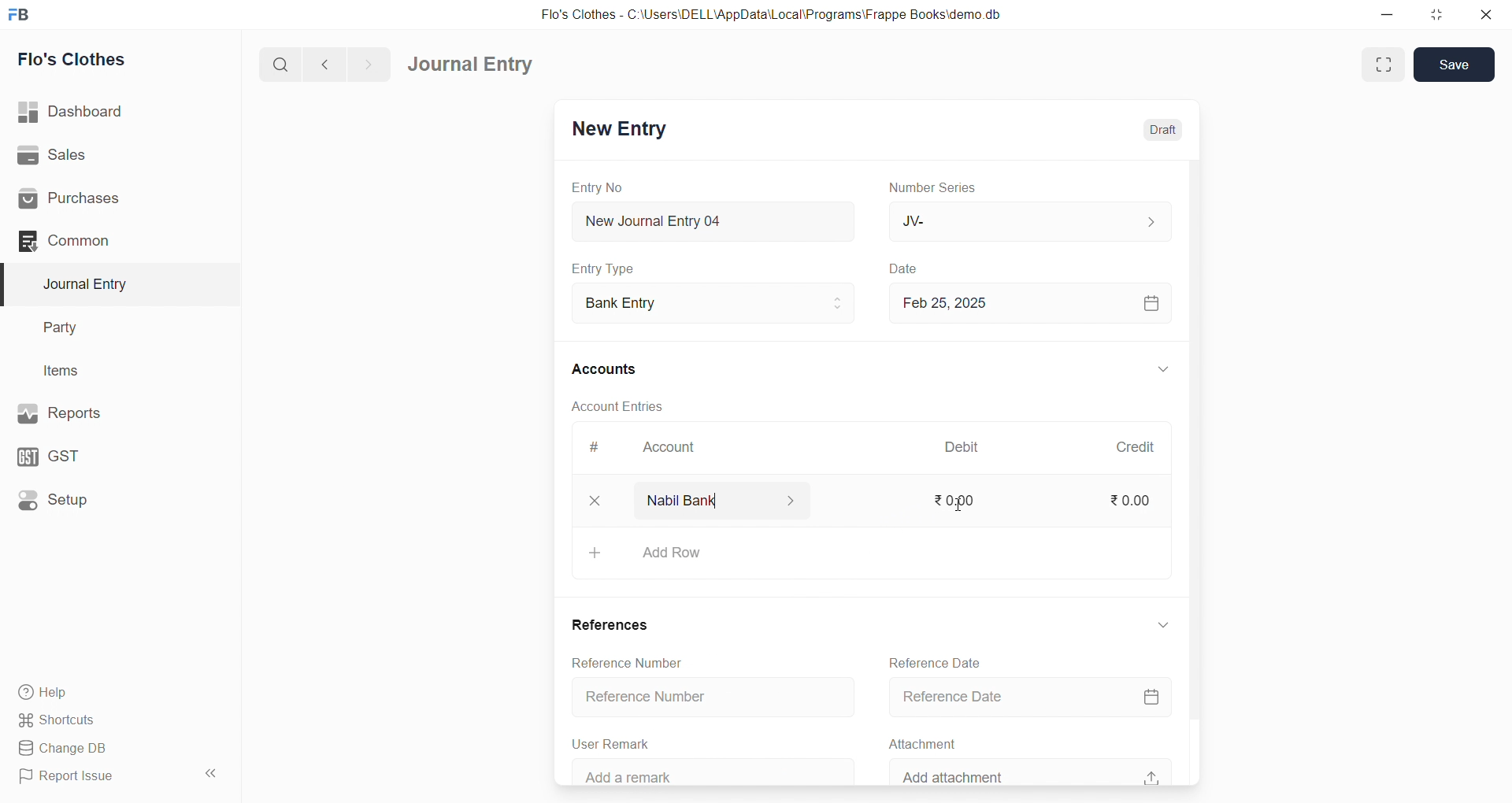 This screenshot has height=803, width=1512. Describe the element at coordinates (368, 63) in the screenshot. I see `navigate forward` at that location.